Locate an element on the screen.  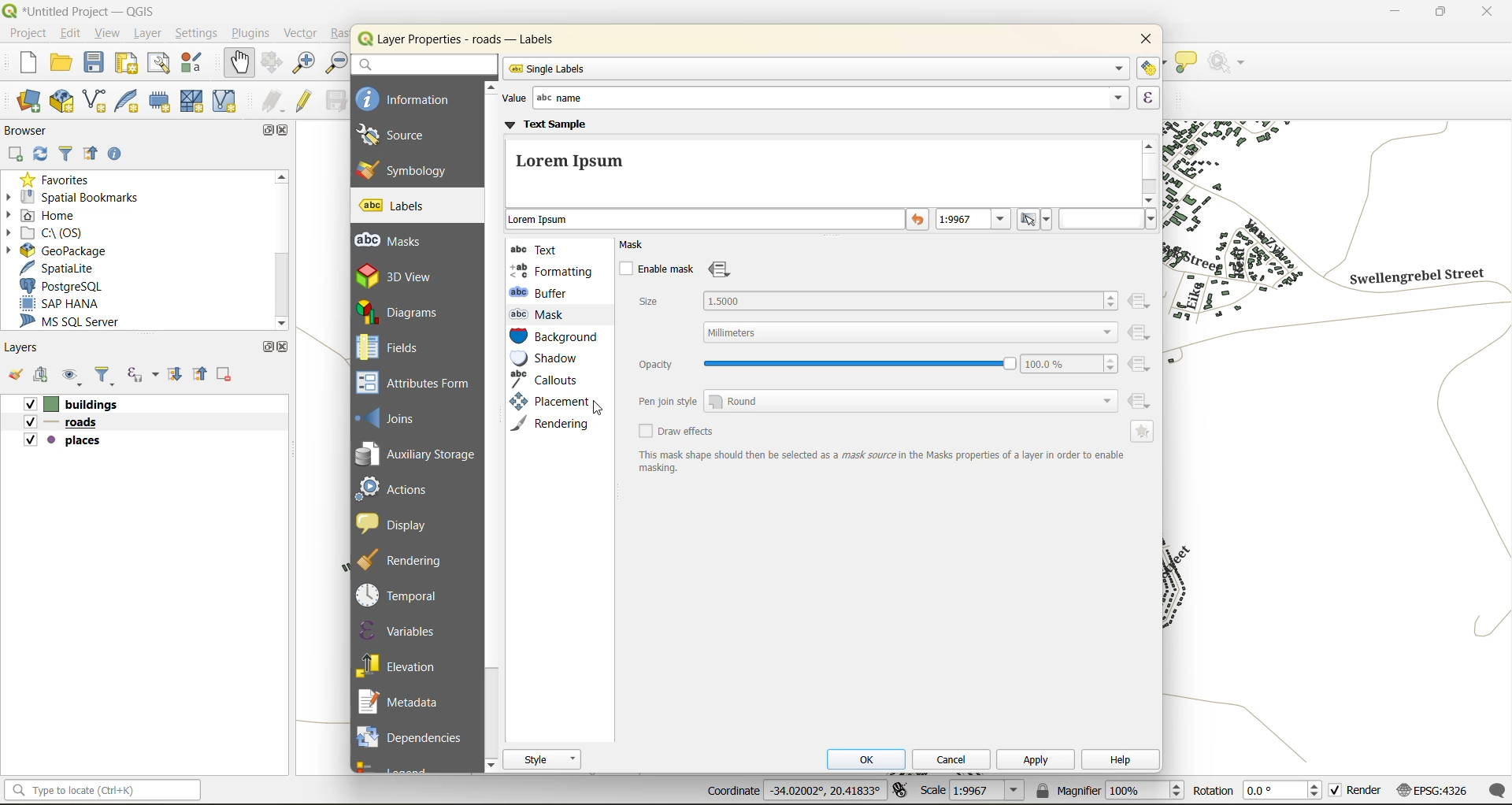
toggle edits is located at coordinates (307, 102).